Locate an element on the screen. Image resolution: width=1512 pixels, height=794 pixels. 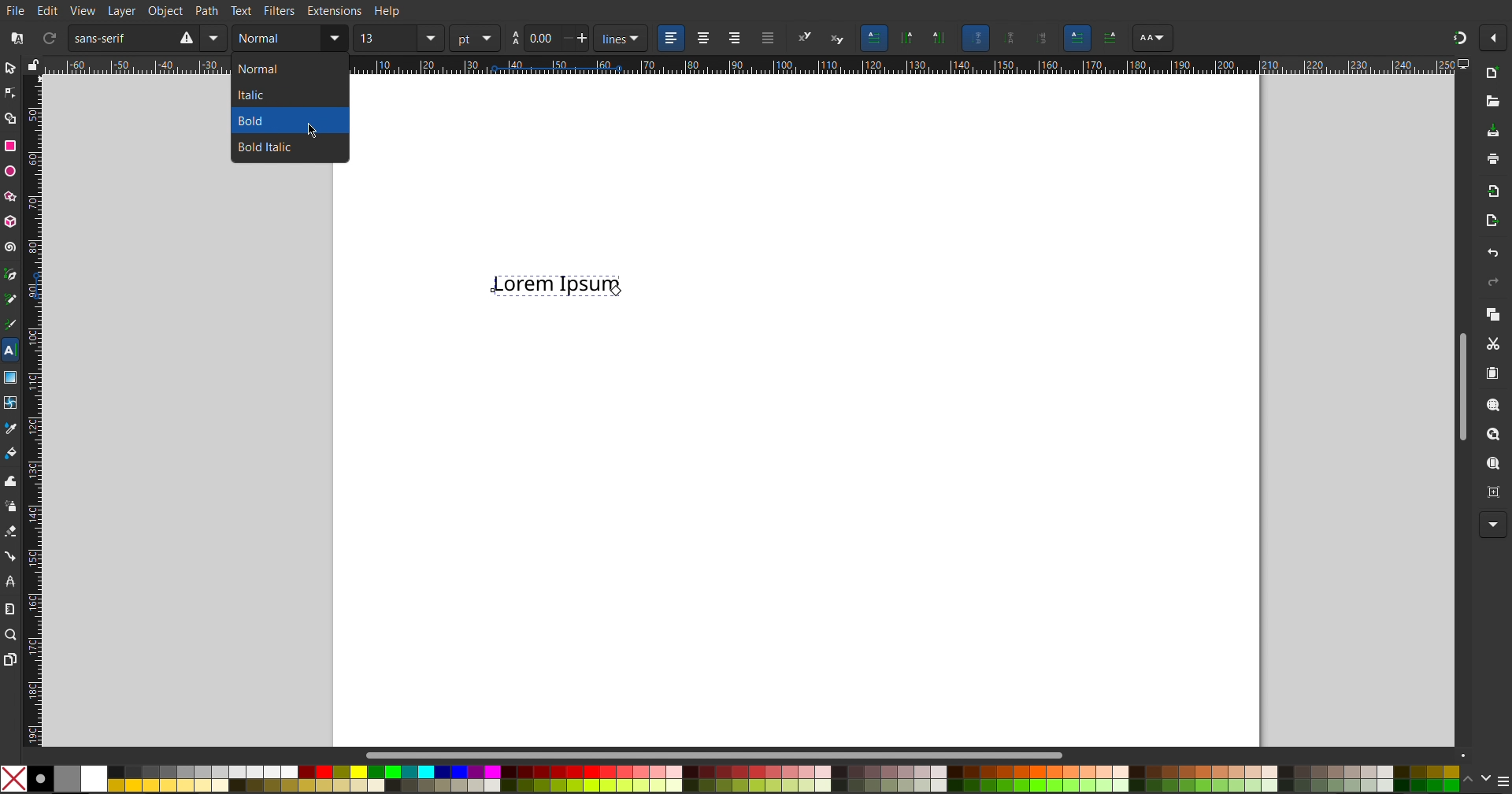
Bold Italic is located at coordinates (272, 147).